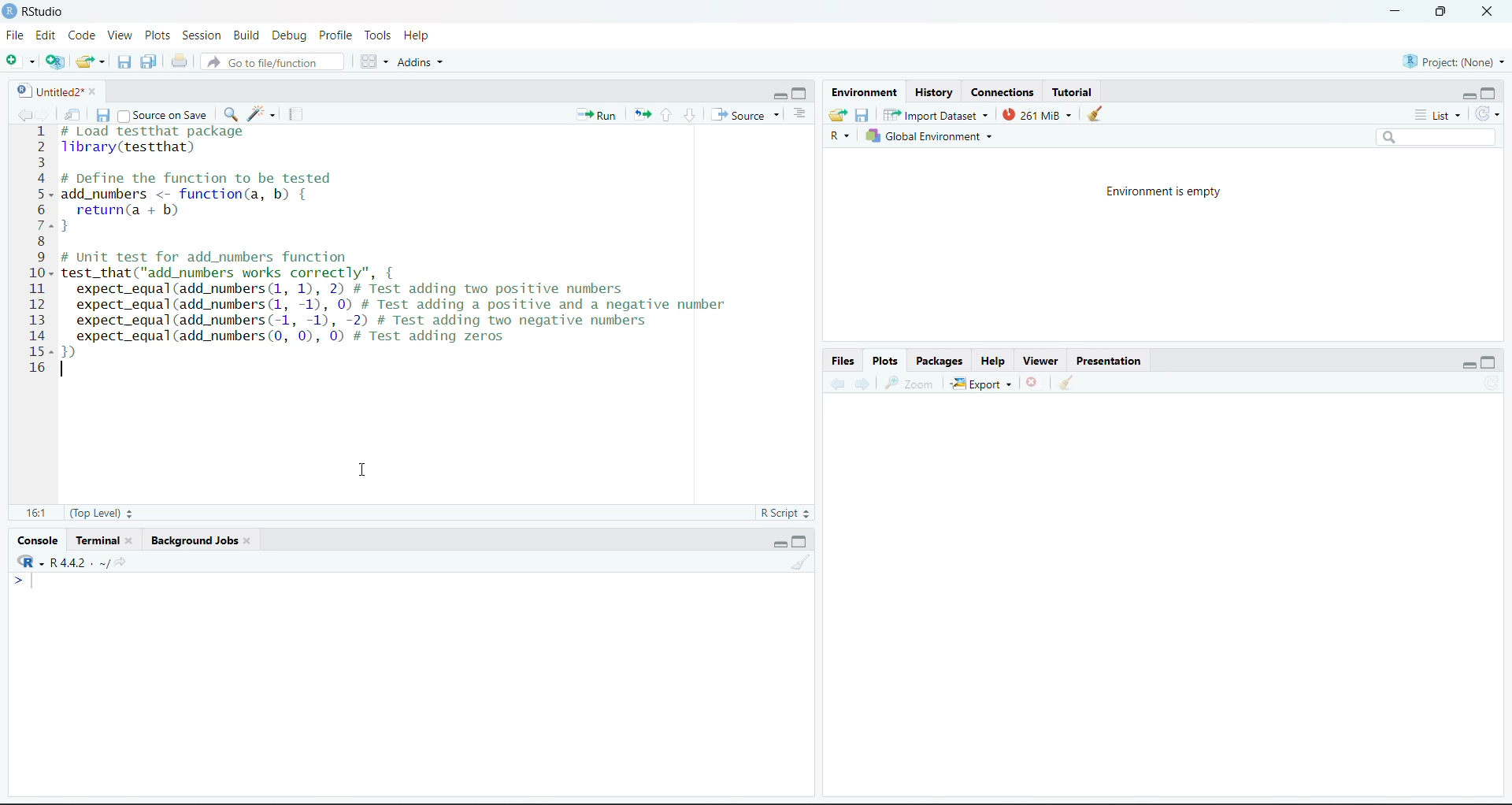 This screenshot has height=805, width=1512. I want to click on Re-run the previous code, so click(639, 113).